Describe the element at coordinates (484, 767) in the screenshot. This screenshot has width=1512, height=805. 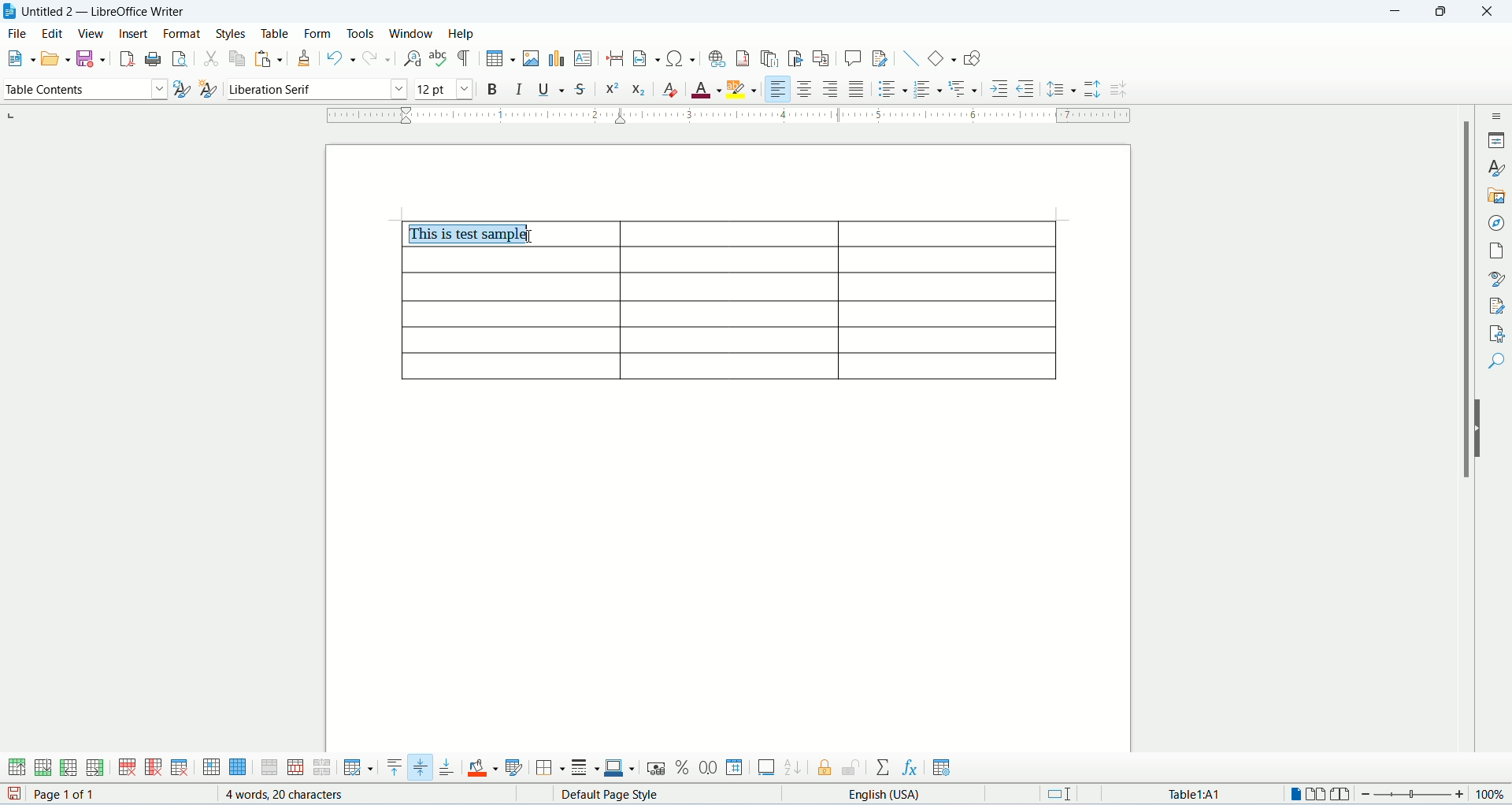
I see `cell background color` at that location.